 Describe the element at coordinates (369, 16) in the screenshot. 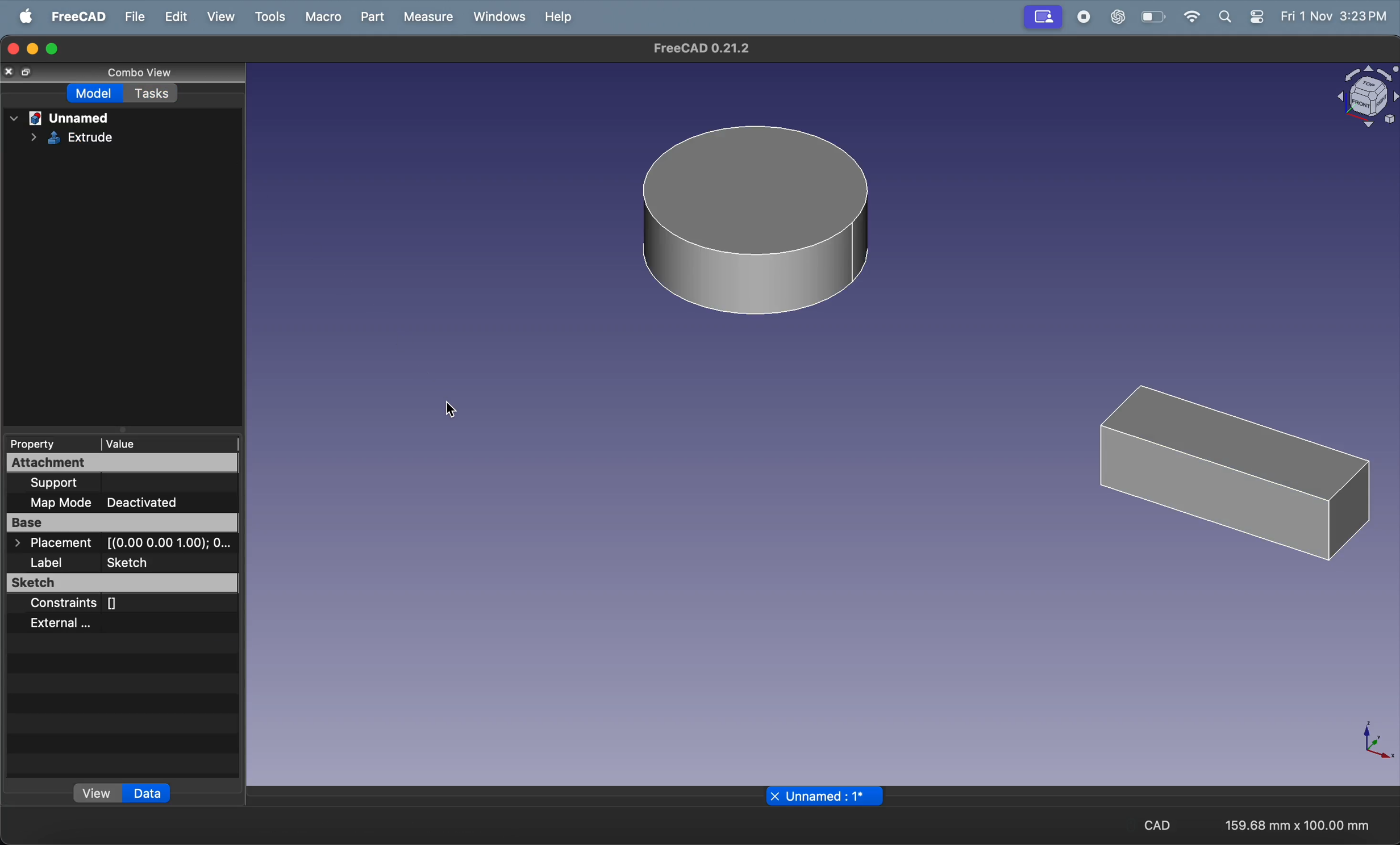

I see `Part` at that location.